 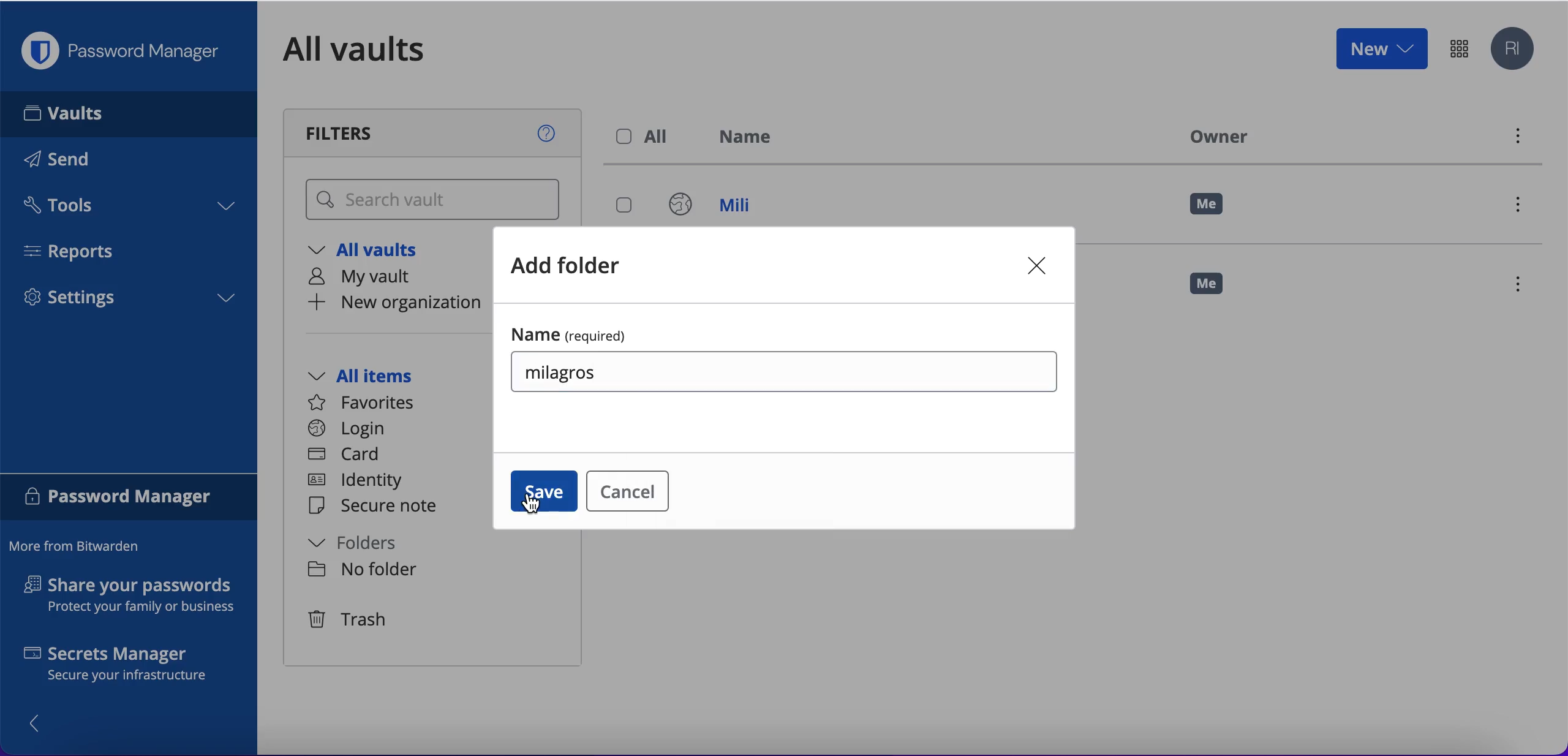 What do you see at coordinates (1459, 48) in the screenshot?
I see `password manager` at bounding box center [1459, 48].